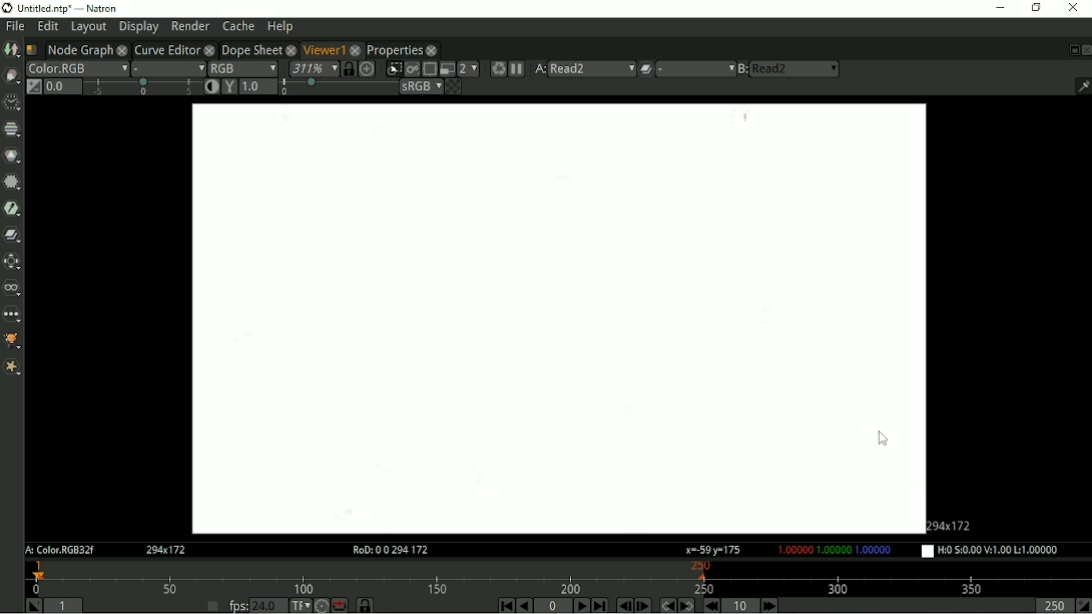  I want to click on Keyer, so click(12, 209).